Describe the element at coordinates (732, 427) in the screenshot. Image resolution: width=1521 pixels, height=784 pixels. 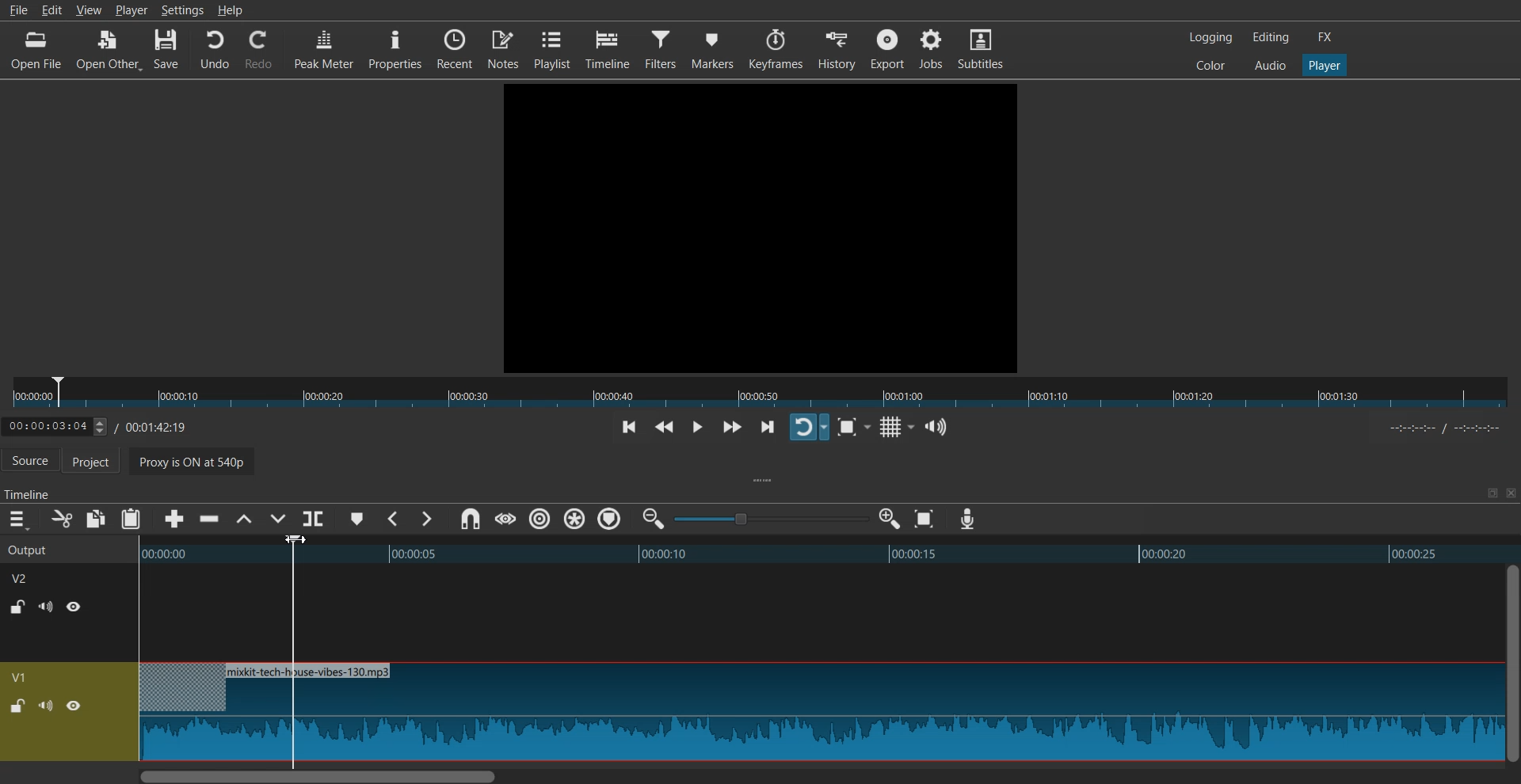
I see `Play quickly forwards` at that location.